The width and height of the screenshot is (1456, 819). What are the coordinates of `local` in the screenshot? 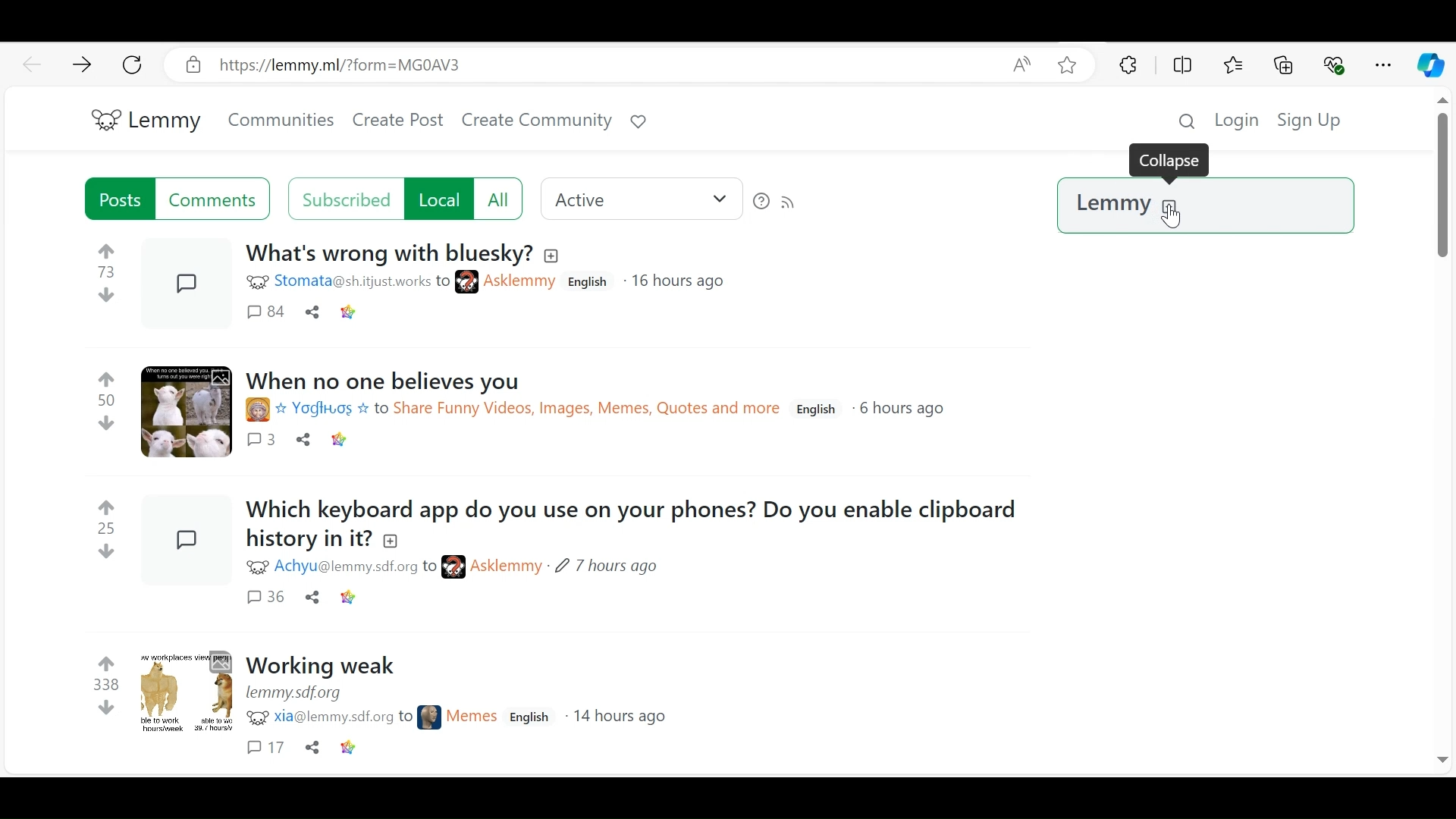 It's located at (438, 199).